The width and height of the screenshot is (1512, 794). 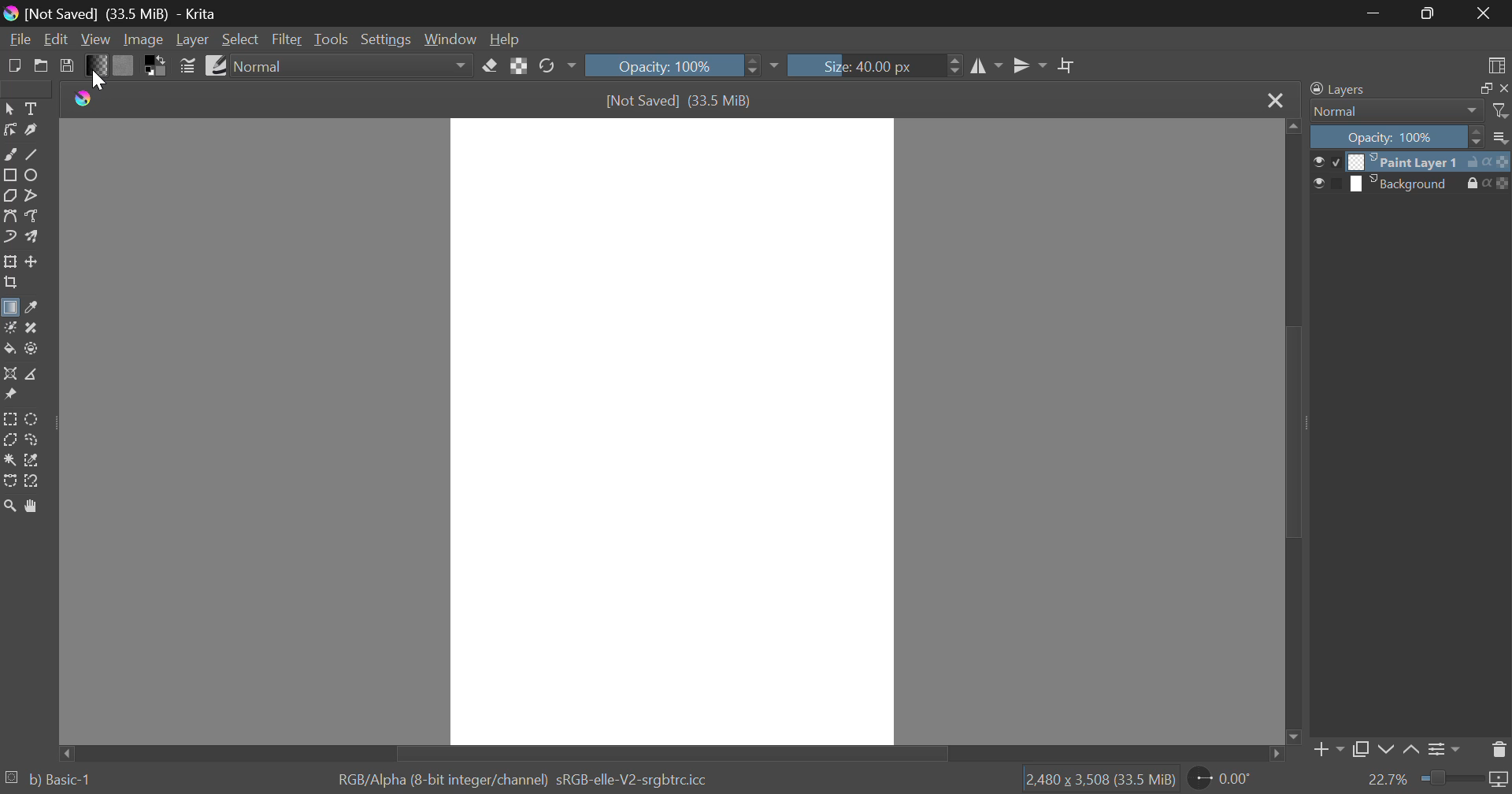 What do you see at coordinates (30, 130) in the screenshot?
I see `Calligraphic Line` at bounding box center [30, 130].